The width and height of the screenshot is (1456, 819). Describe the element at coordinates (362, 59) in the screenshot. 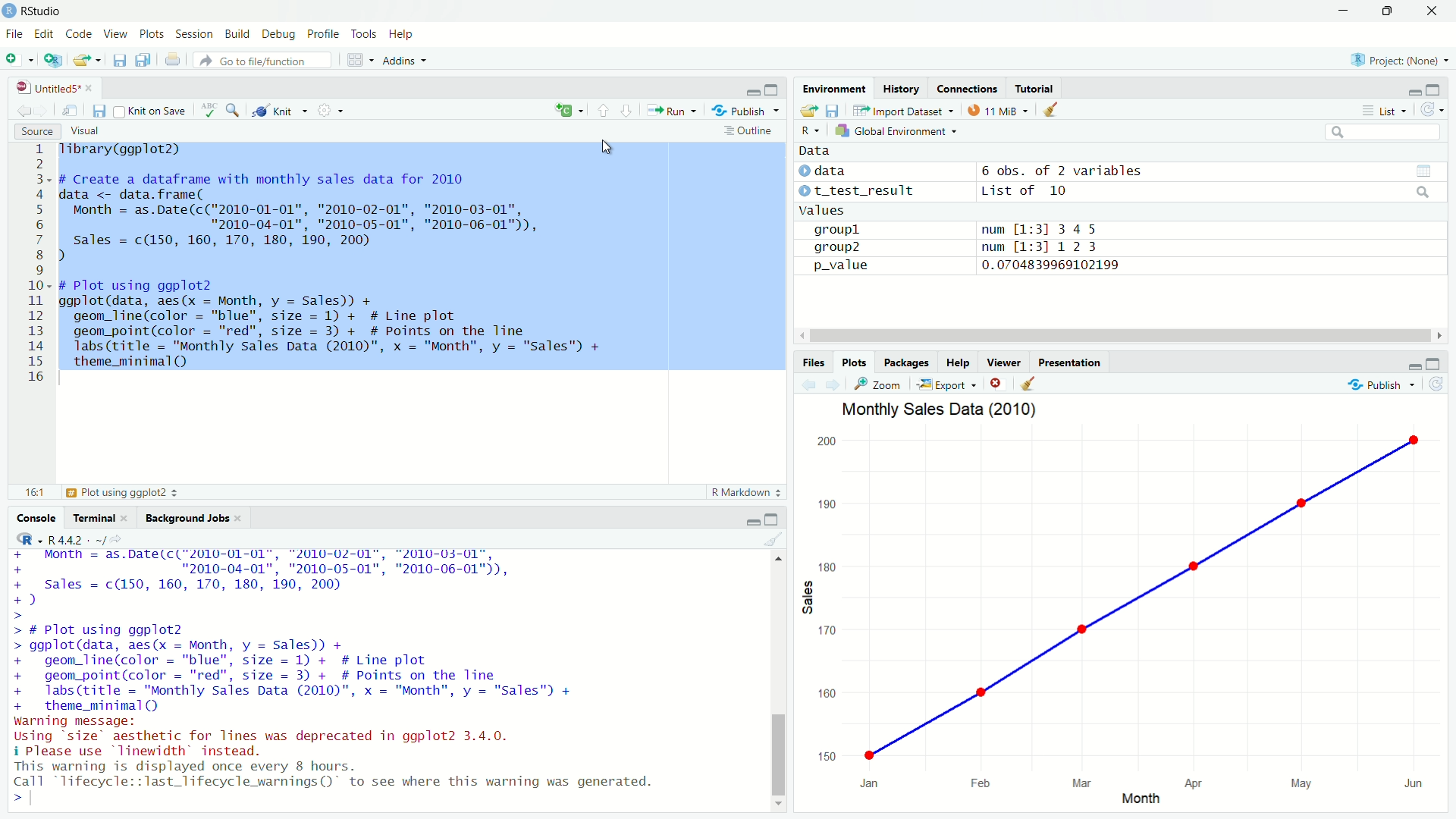

I see `workspace panel` at that location.